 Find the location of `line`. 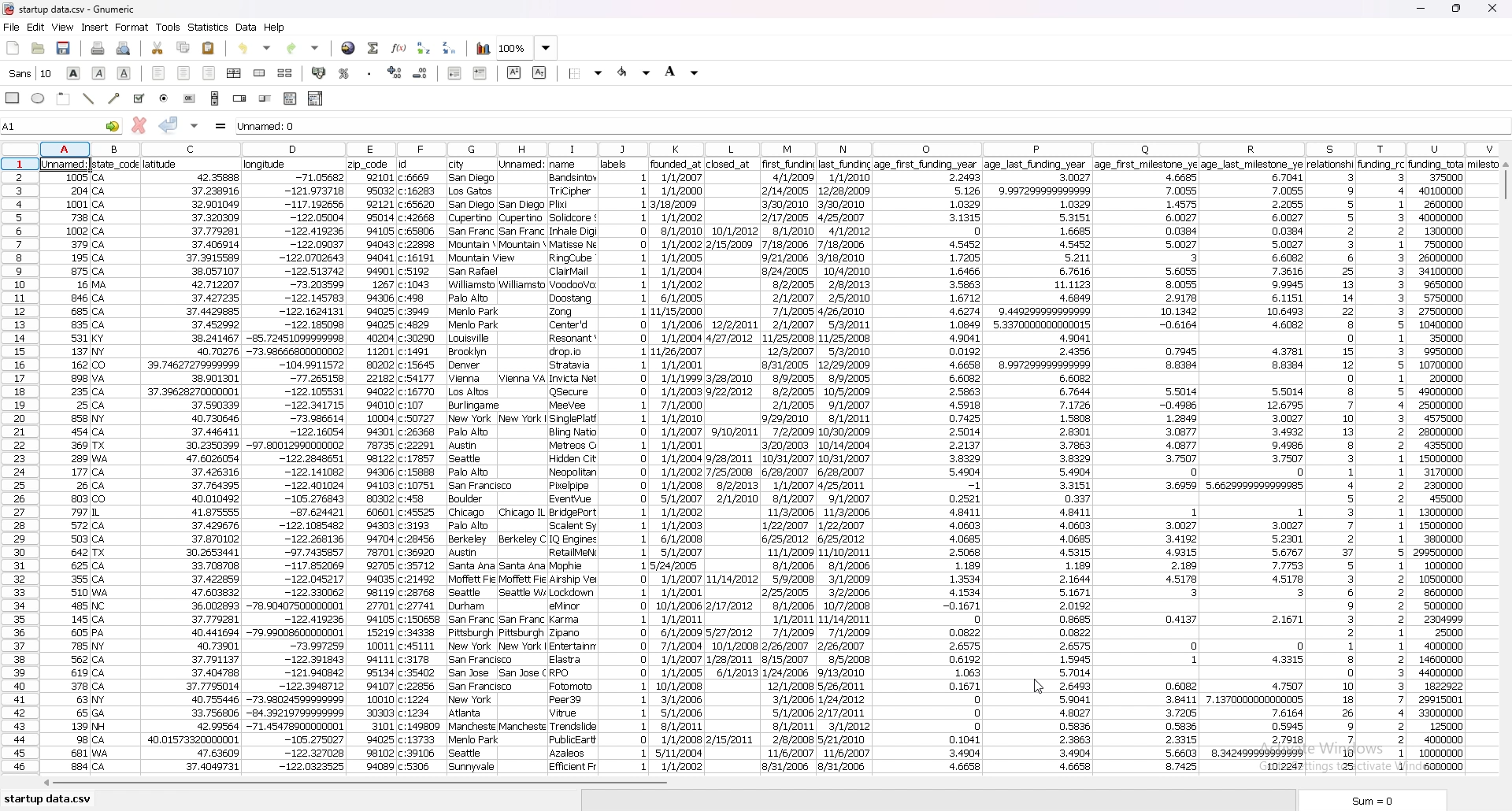

line is located at coordinates (91, 98).